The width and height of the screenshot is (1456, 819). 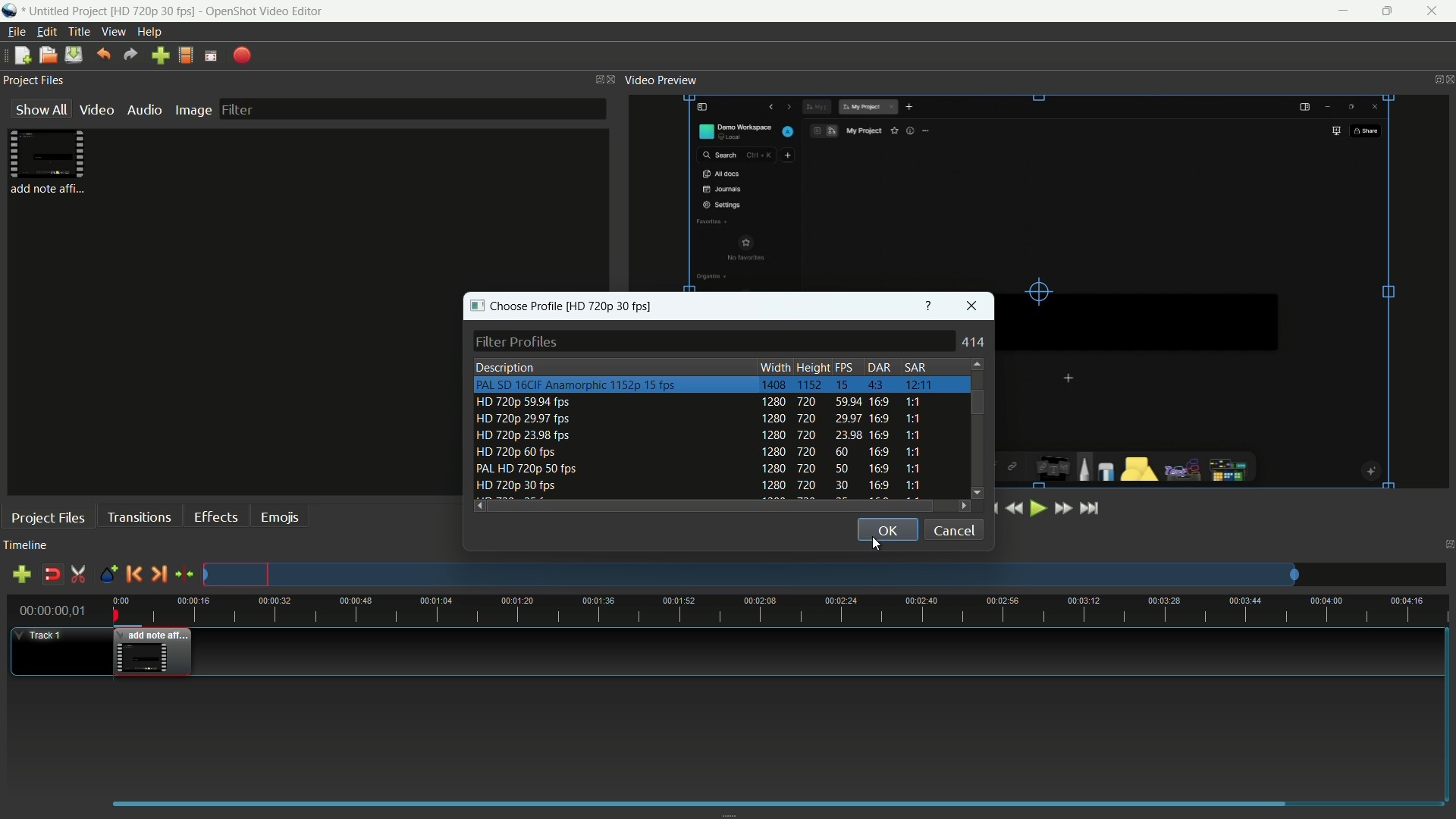 I want to click on timeline, so click(x=26, y=545).